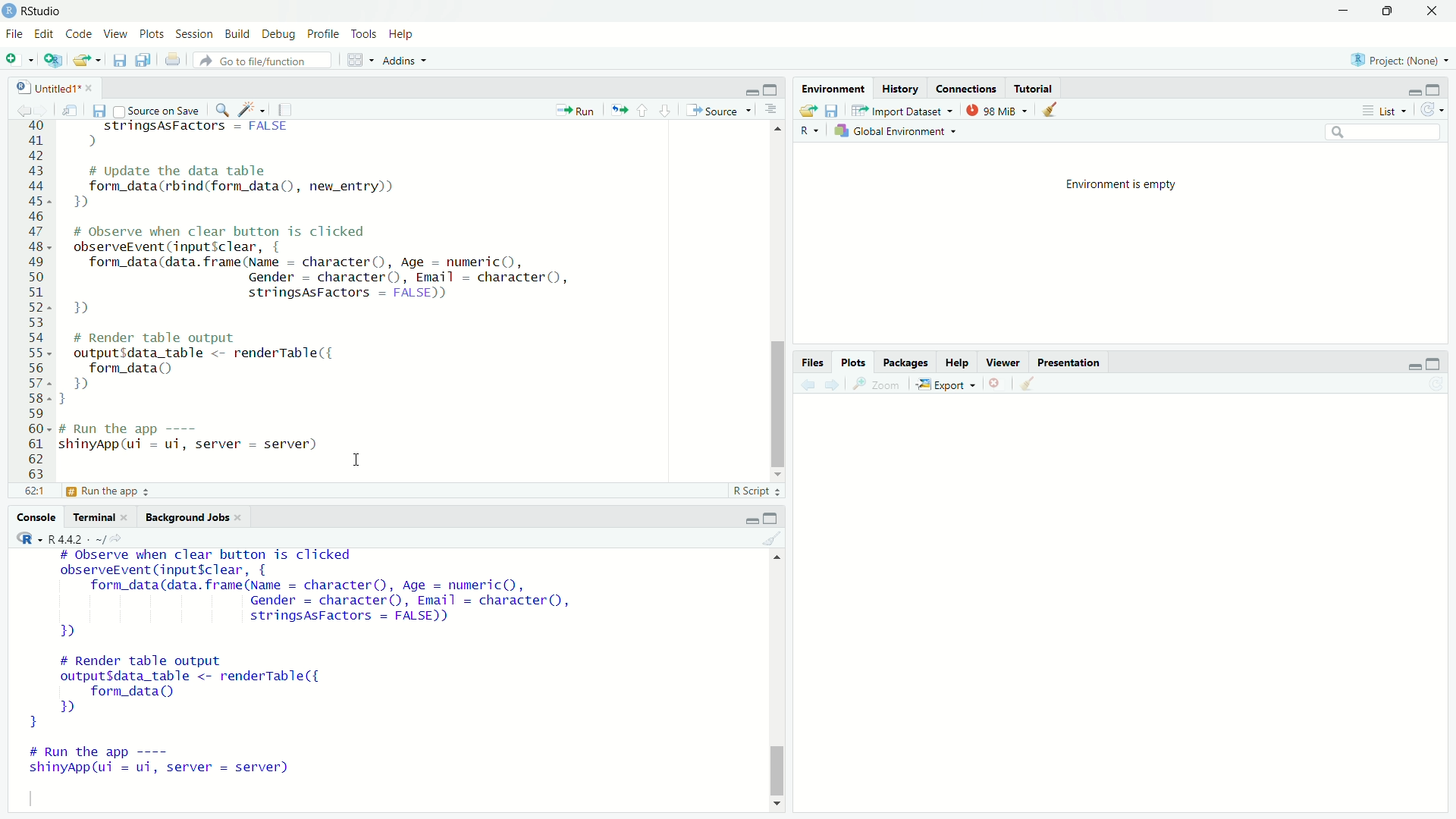  I want to click on tutorial, so click(1031, 88).